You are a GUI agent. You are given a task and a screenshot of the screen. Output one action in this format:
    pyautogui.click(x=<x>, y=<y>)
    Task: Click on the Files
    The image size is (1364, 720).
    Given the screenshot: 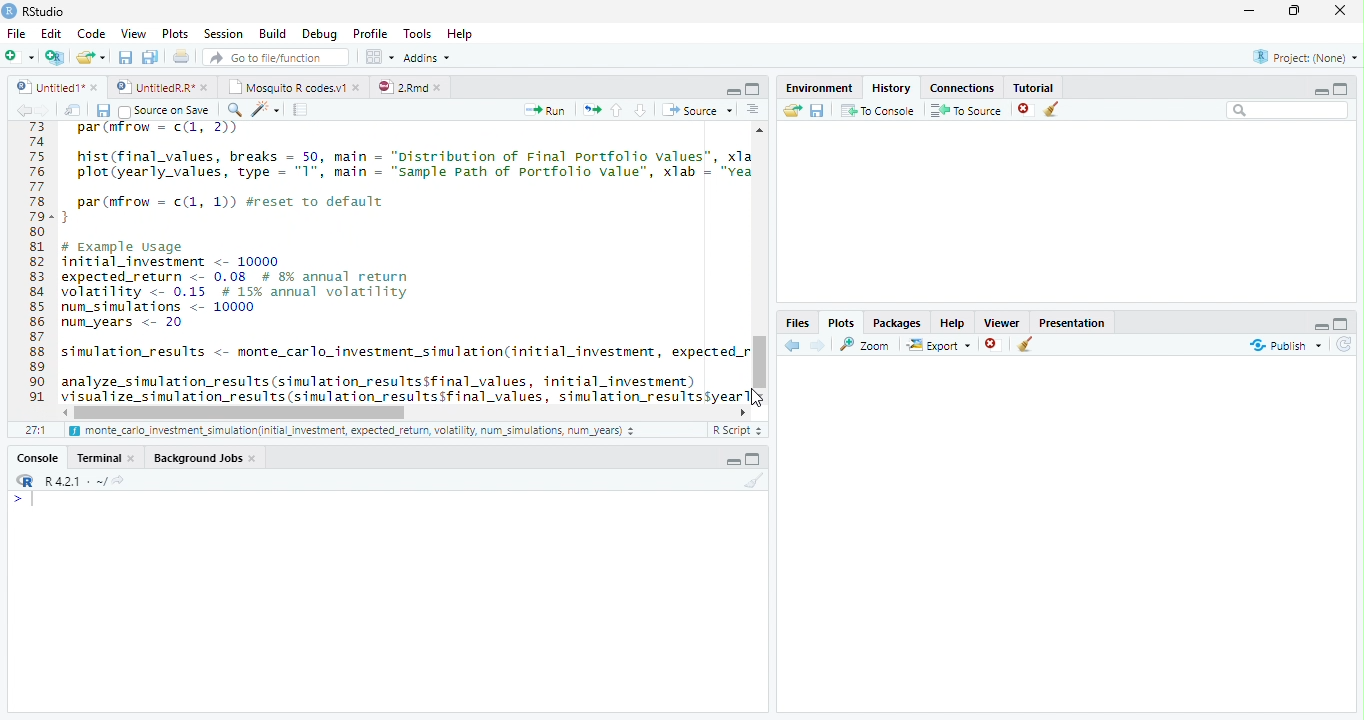 What is the action you would take?
    pyautogui.click(x=798, y=322)
    